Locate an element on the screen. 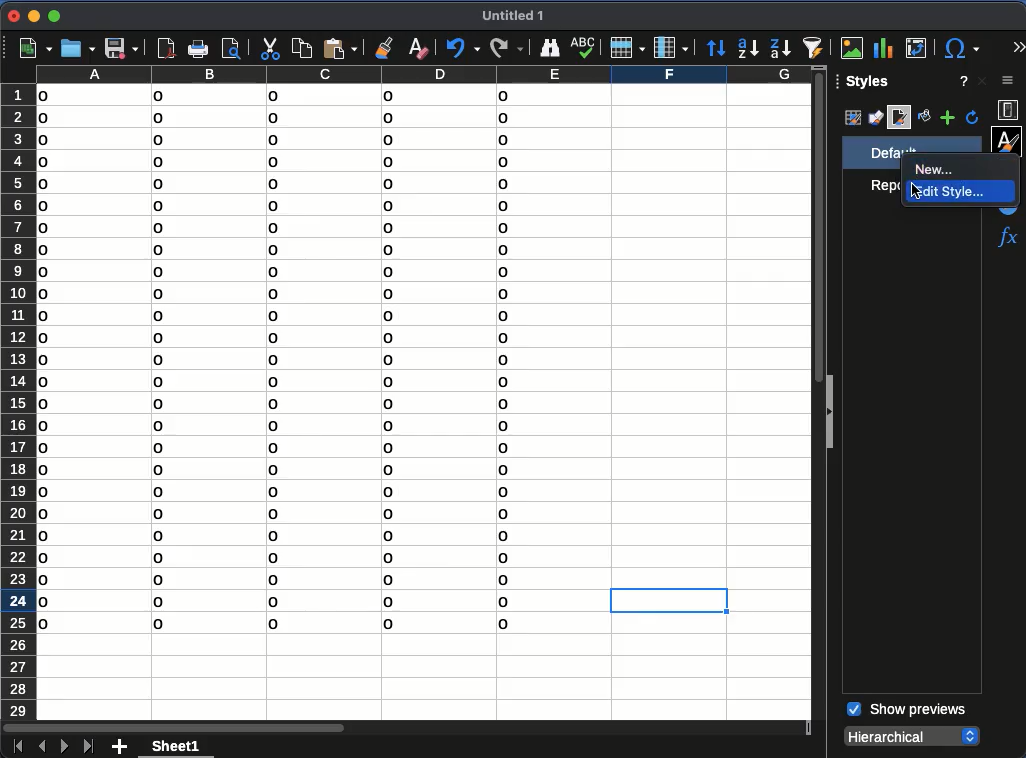  copy is located at coordinates (301, 46).